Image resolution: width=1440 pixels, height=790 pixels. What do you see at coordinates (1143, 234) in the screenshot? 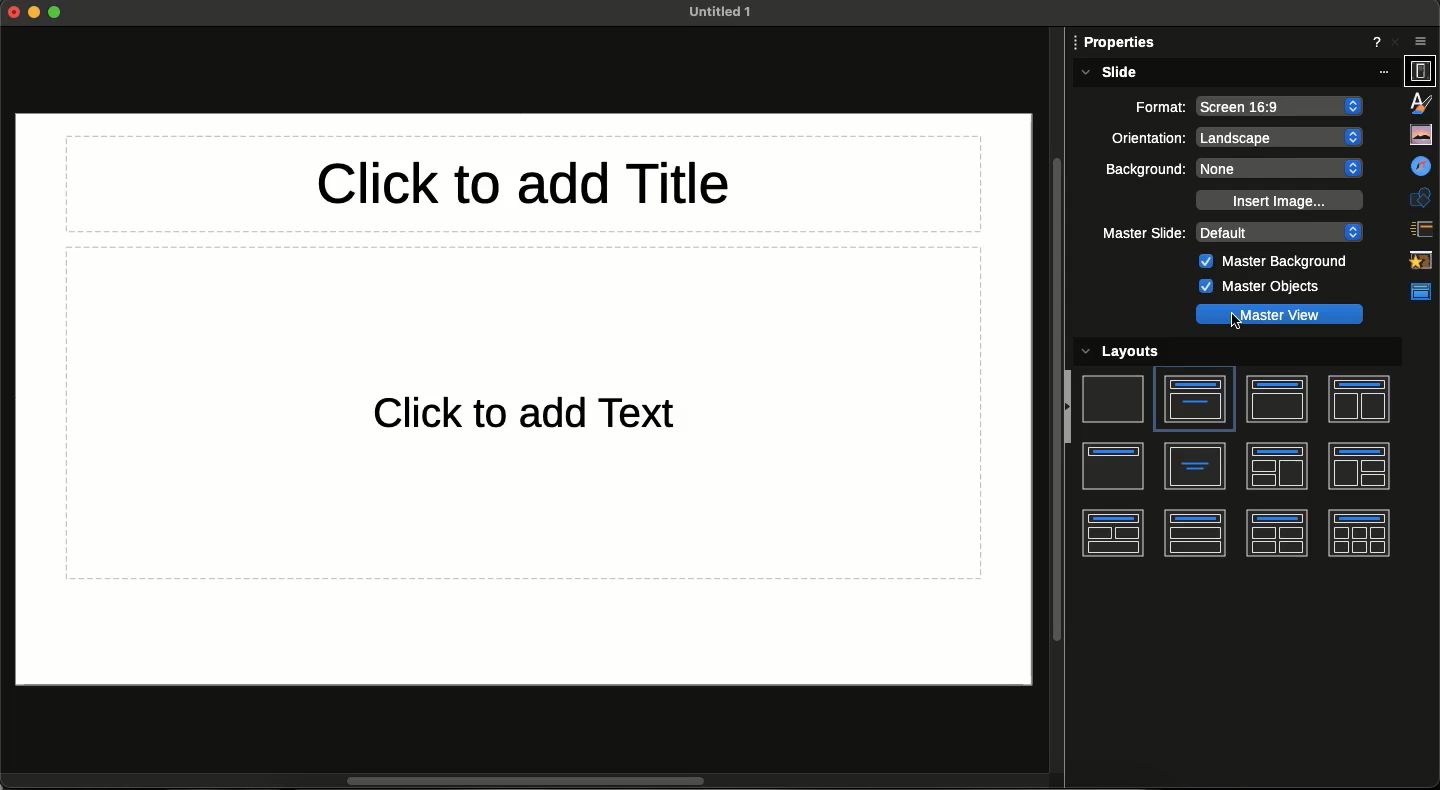
I see `Master slide` at bounding box center [1143, 234].